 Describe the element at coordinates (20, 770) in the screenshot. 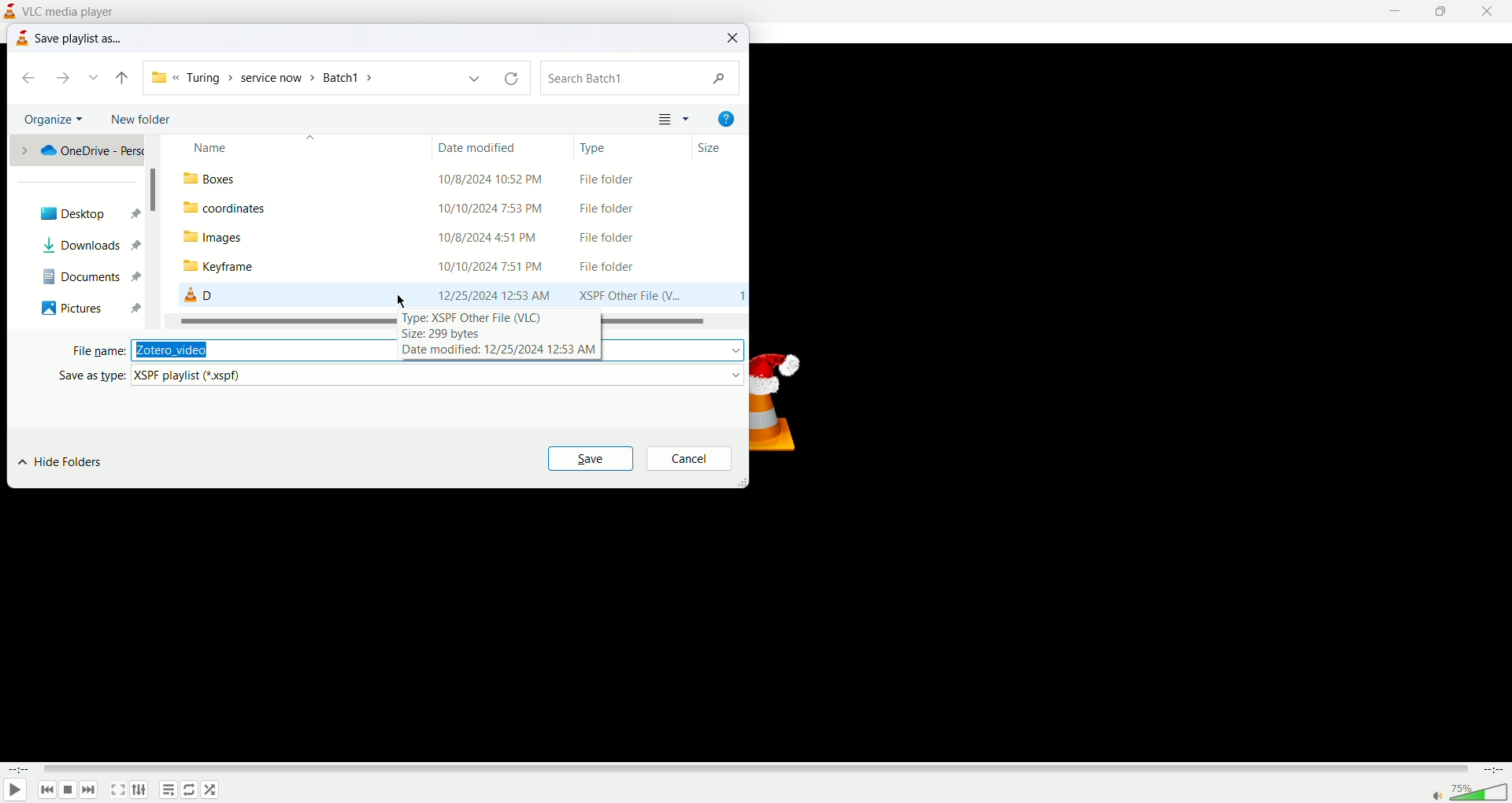

I see `elapsed time` at that location.